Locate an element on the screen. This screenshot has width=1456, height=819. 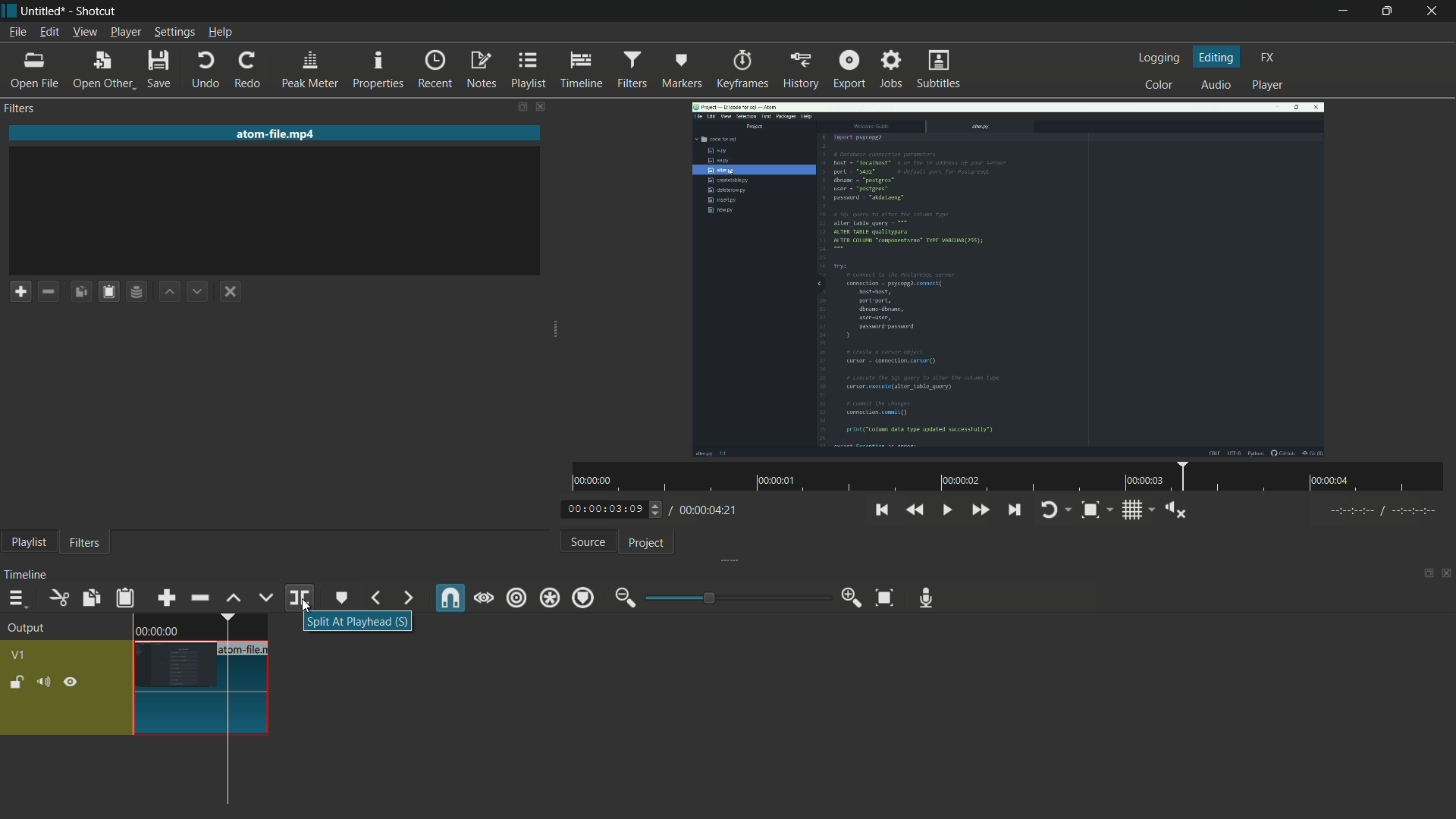
previous marker is located at coordinates (375, 598).